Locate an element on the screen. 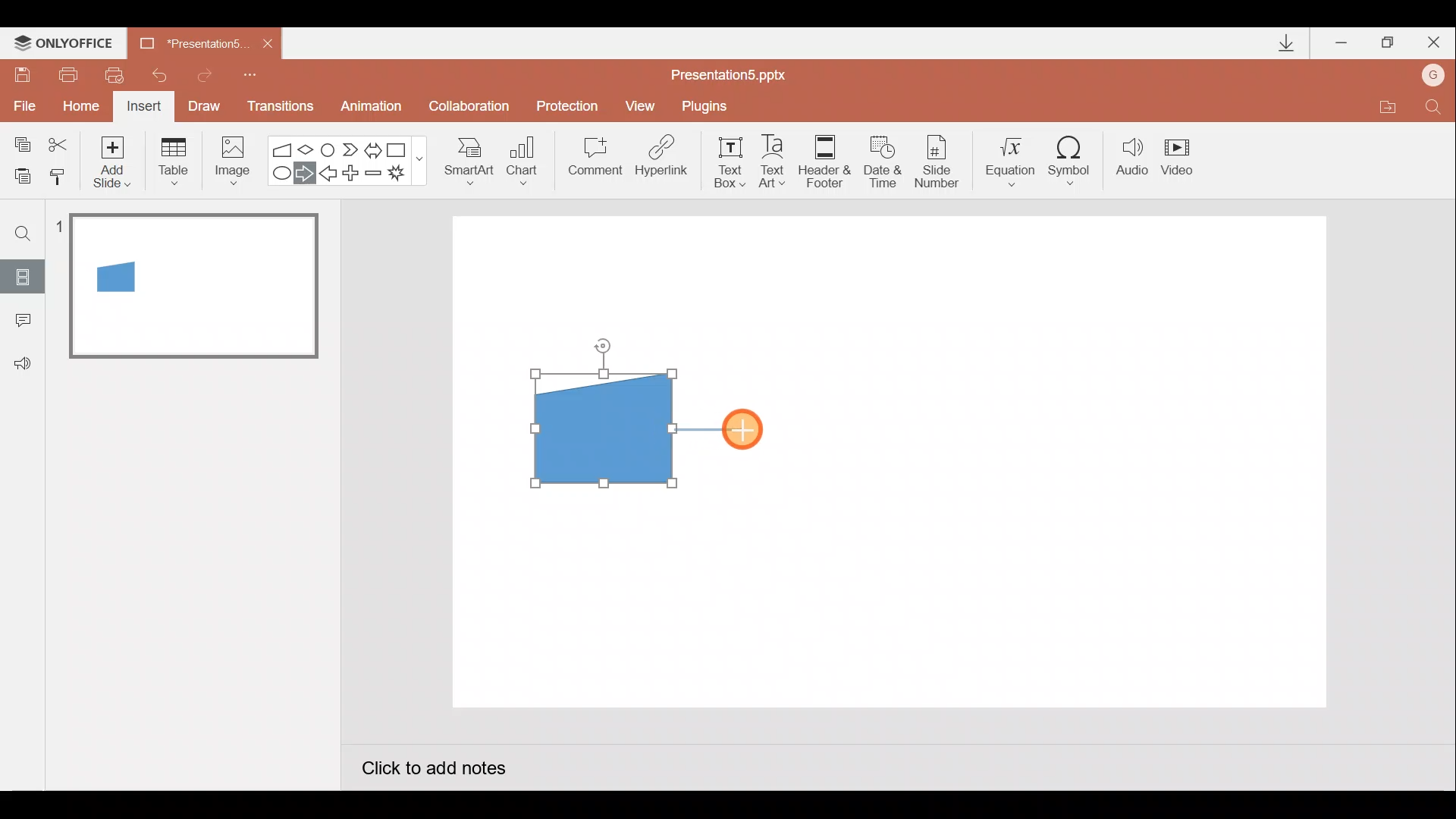 This screenshot has width=1456, height=819. Left arrow is located at coordinates (329, 175).